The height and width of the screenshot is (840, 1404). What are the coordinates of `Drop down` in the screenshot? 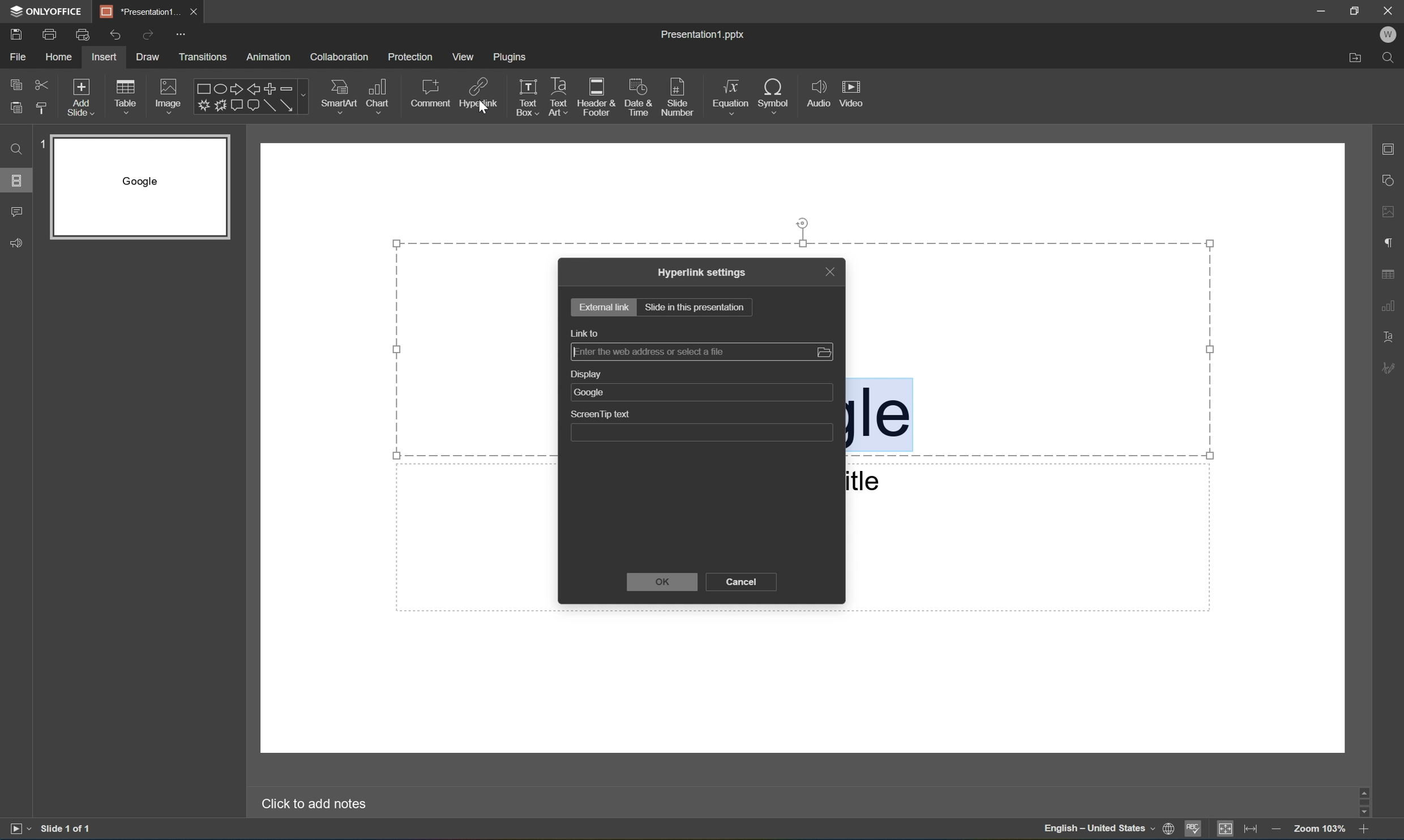 It's located at (304, 96).